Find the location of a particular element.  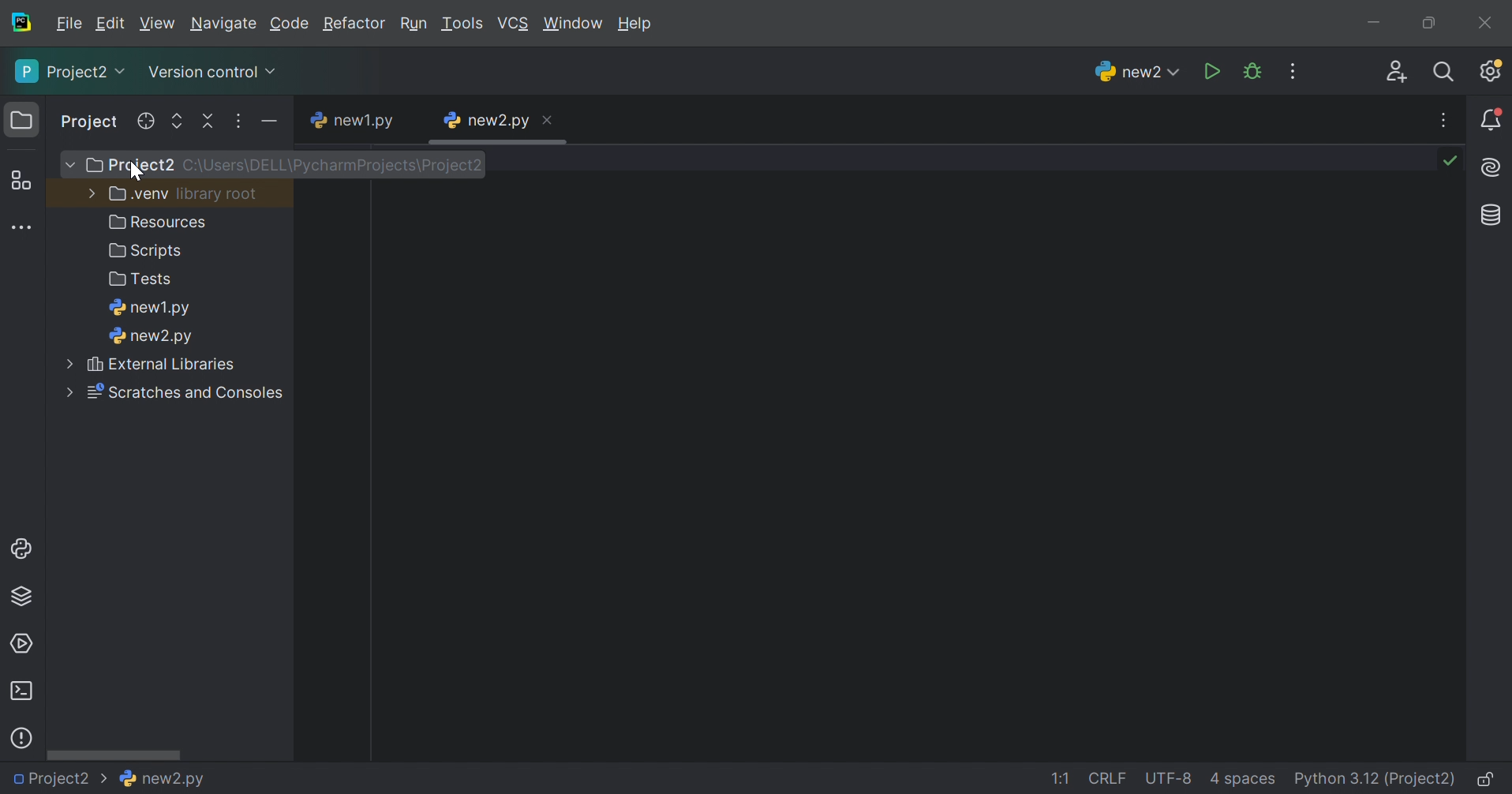

new2.py is located at coordinates (484, 120).